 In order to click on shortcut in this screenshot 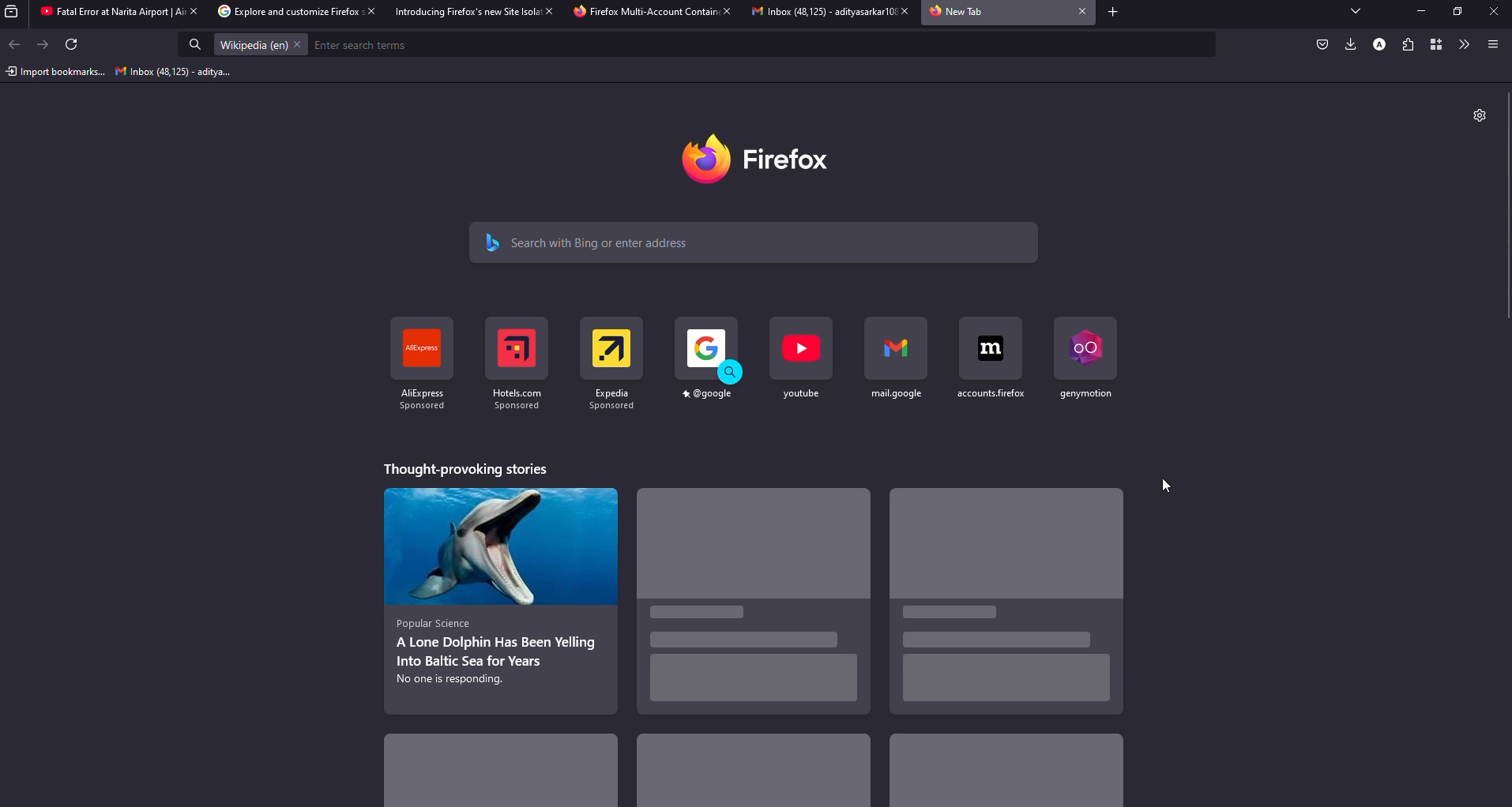, I will do `click(417, 367)`.